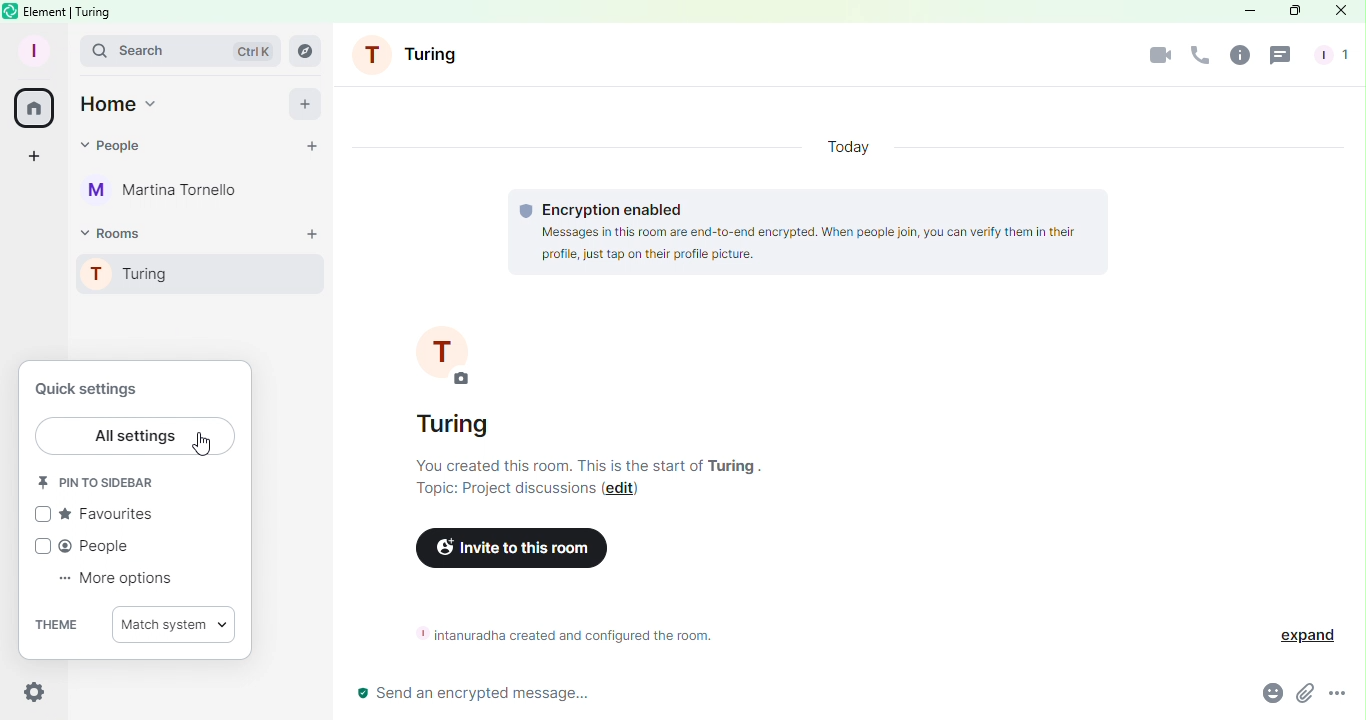  I want to click on Turing profile, so click(454, 352).